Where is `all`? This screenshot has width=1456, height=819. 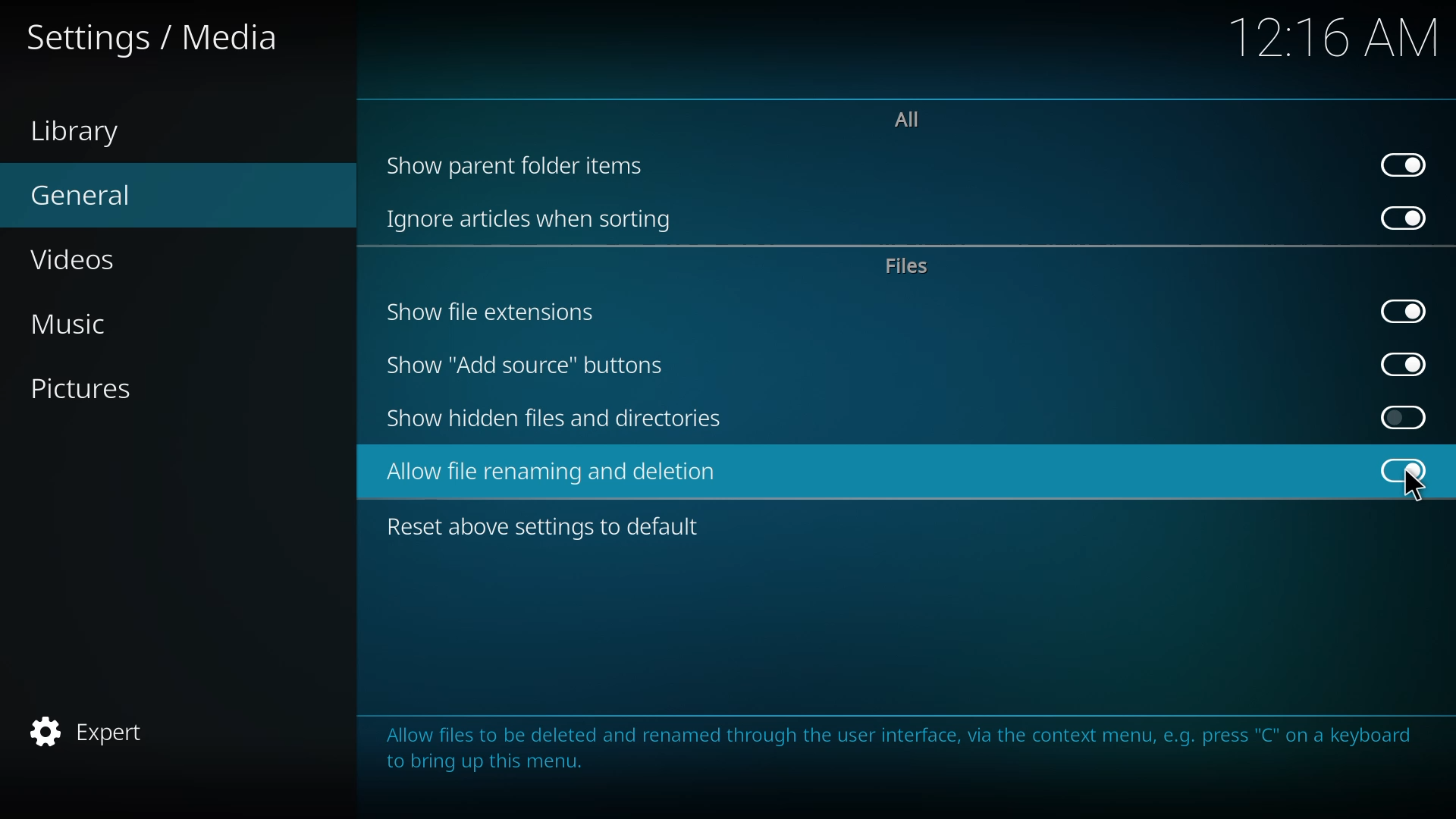
all is located at coordinates (906, 117).